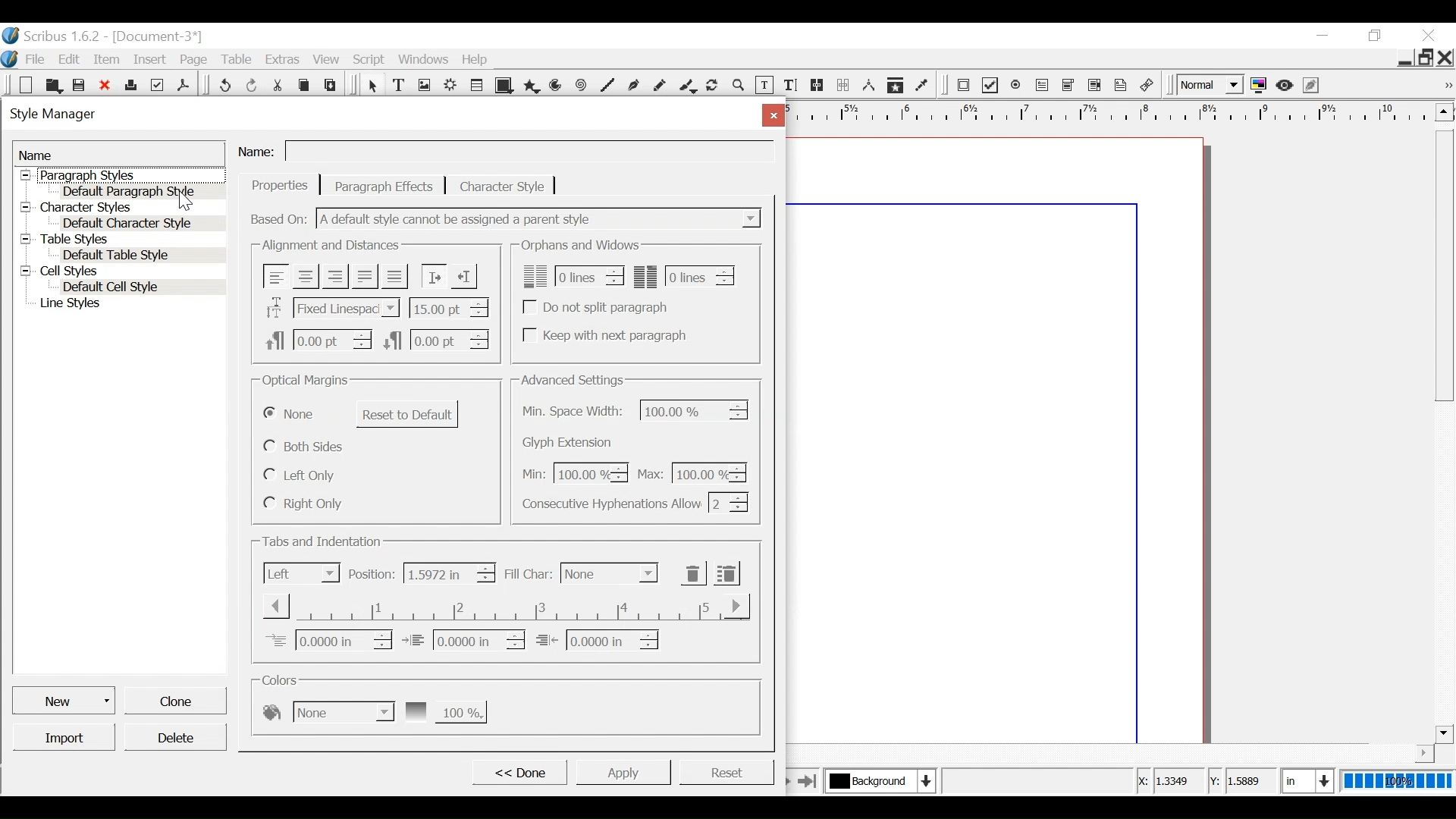 The image size is (1456, 819). What do you see at coordinates (130, 83) in the screenshot?
I see `Print` at bounding box center [130, 83].